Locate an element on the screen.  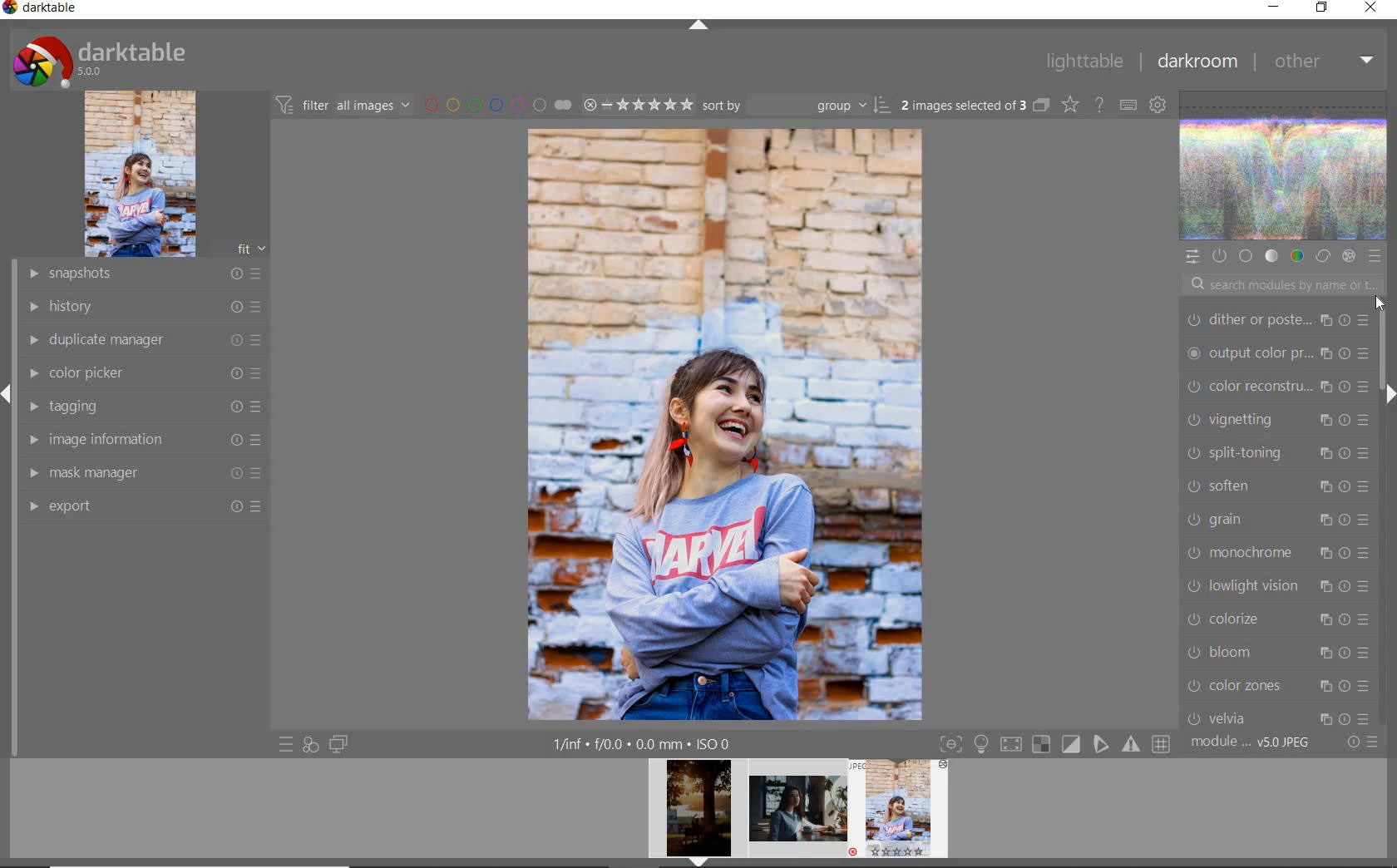
search modules is located at coordinates (1279, 287).